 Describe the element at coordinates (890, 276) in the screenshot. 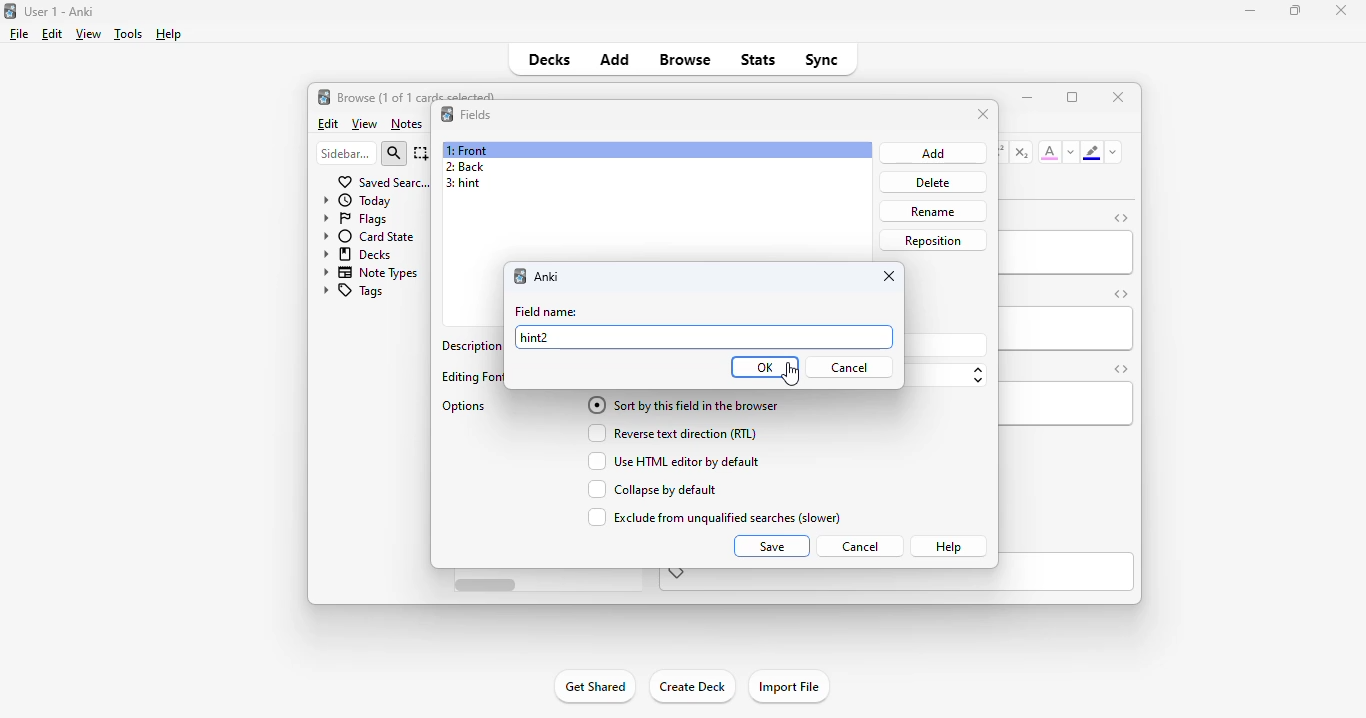

I see `close` at that location.